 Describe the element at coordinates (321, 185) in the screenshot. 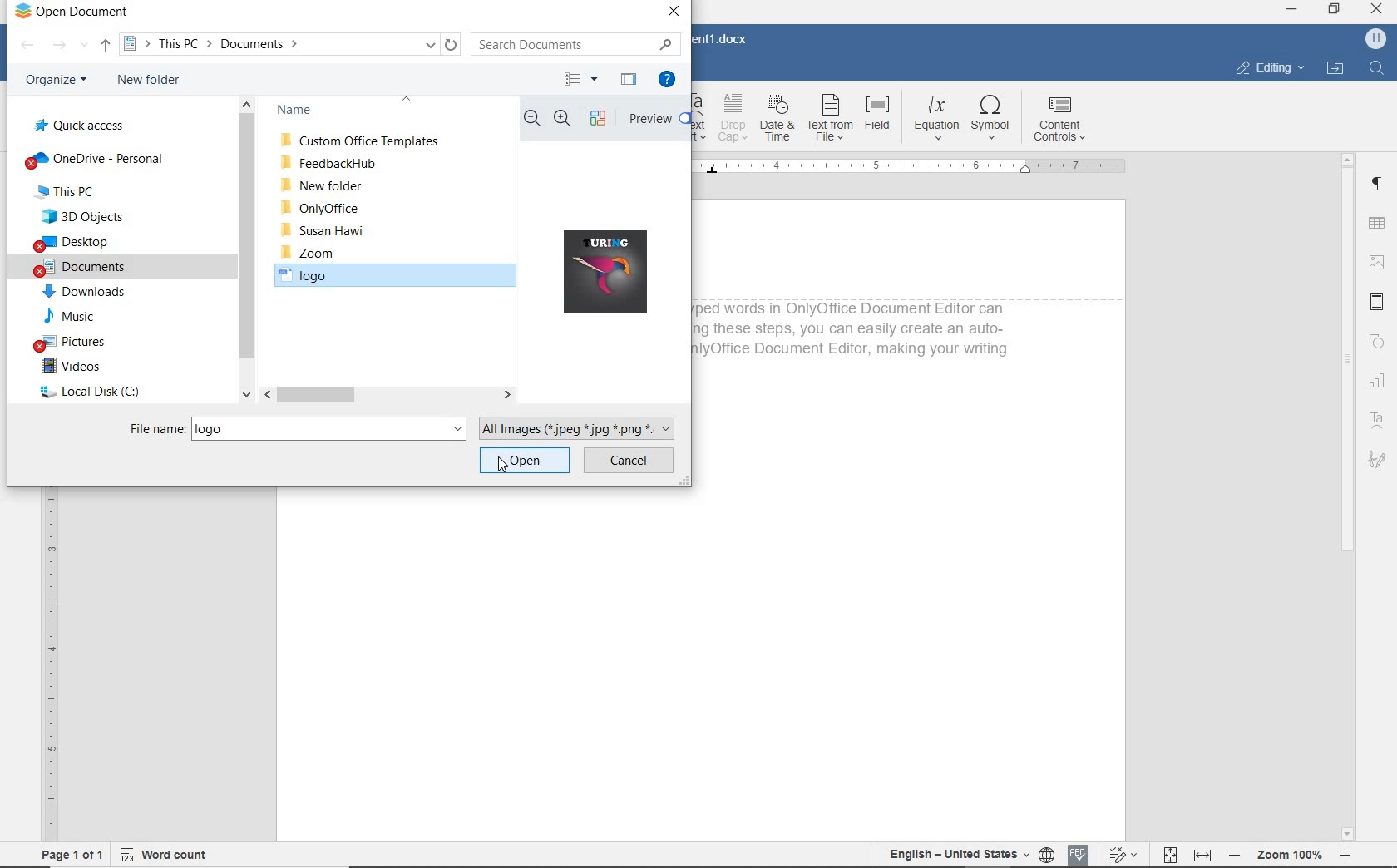

I see `New folder` at that location.